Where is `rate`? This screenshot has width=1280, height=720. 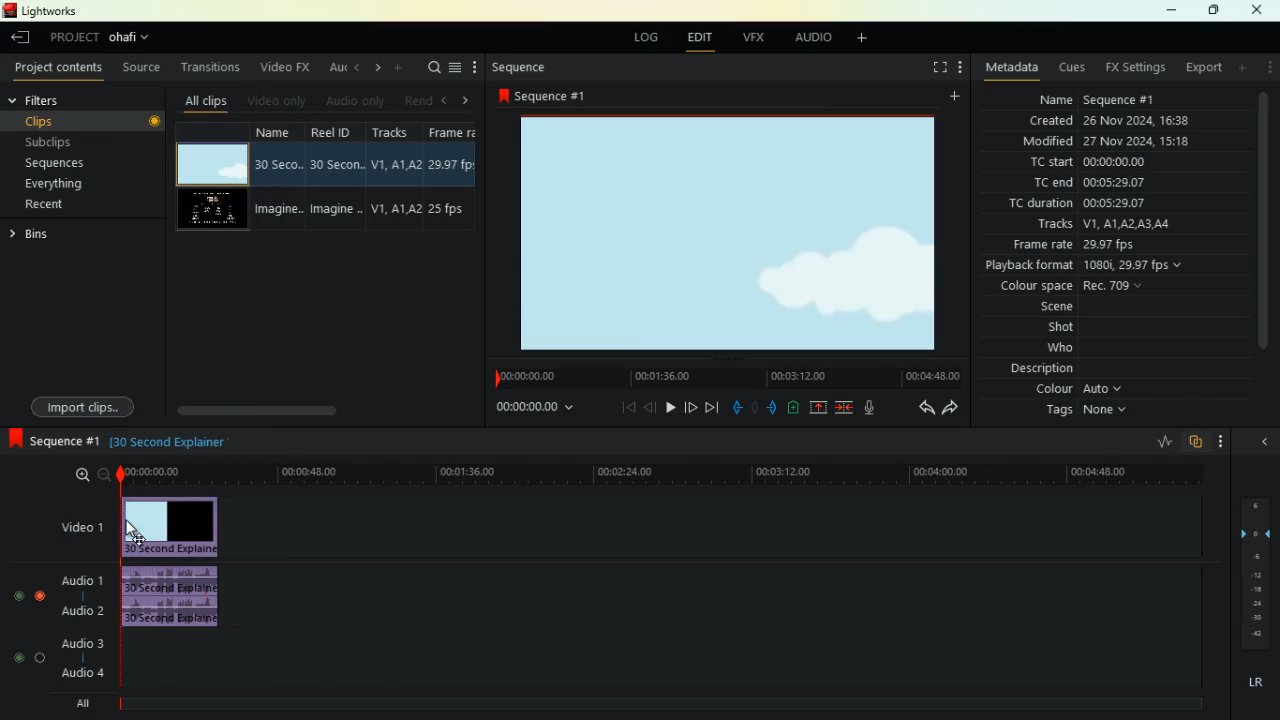
rate is located at coordinates (1157, 443).